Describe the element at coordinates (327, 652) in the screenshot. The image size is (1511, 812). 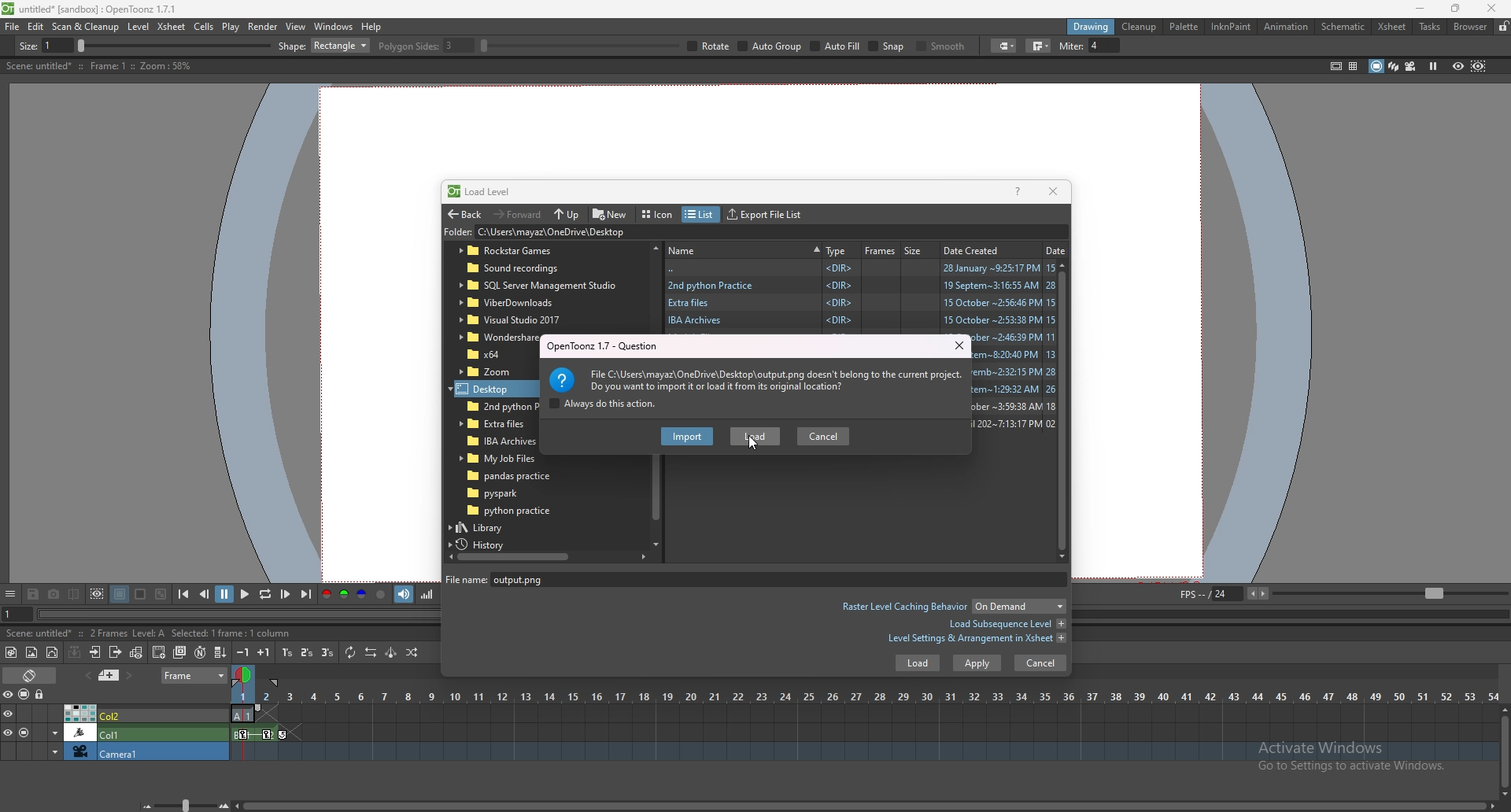
I see `reframe on 3s` at that location.